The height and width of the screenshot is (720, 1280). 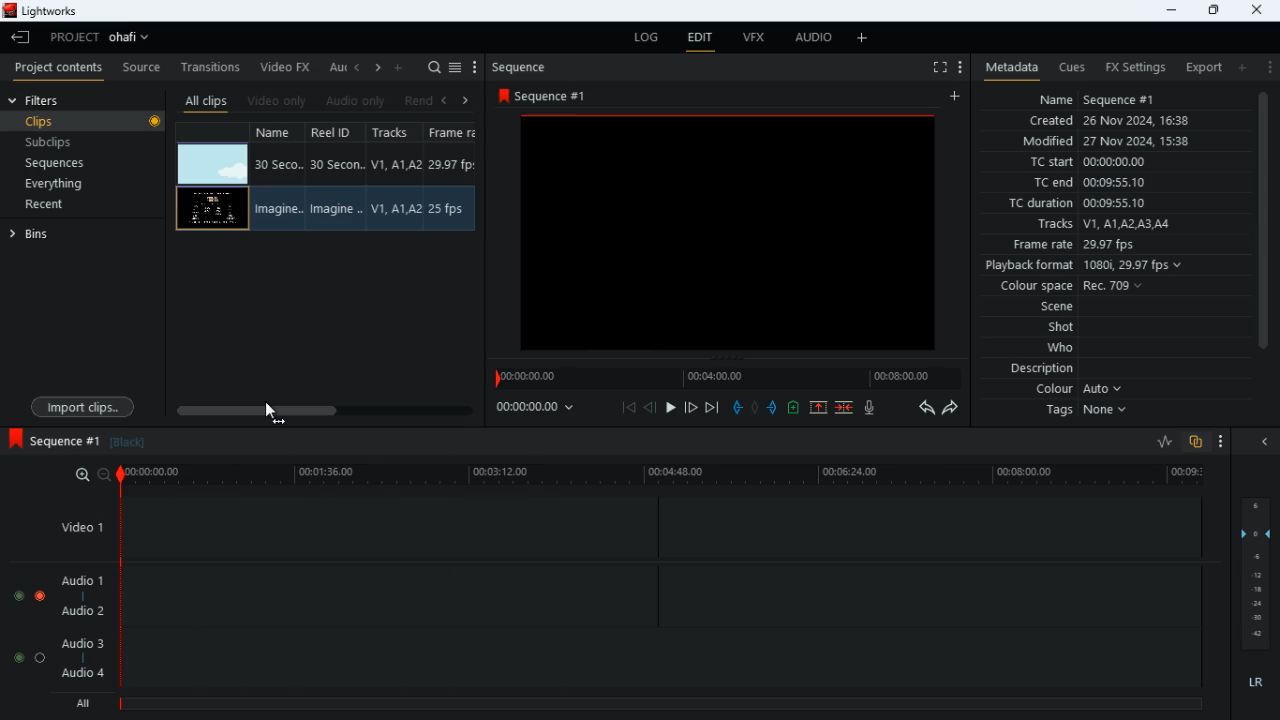 I want to click on close page, so click(x=1257, y=14).